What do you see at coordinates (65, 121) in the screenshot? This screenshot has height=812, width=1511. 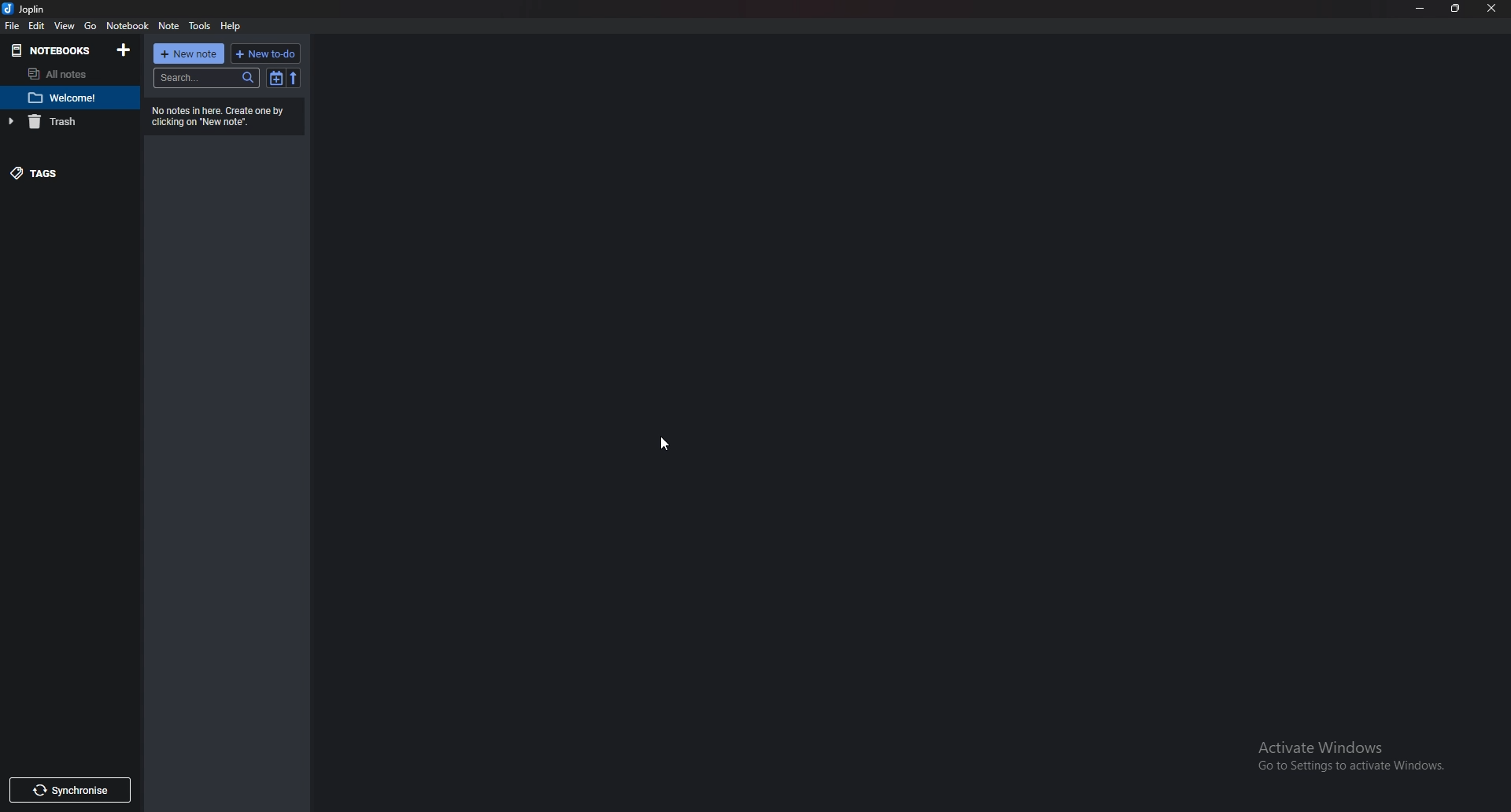 I see `trash` at bounding box center [65, 121].